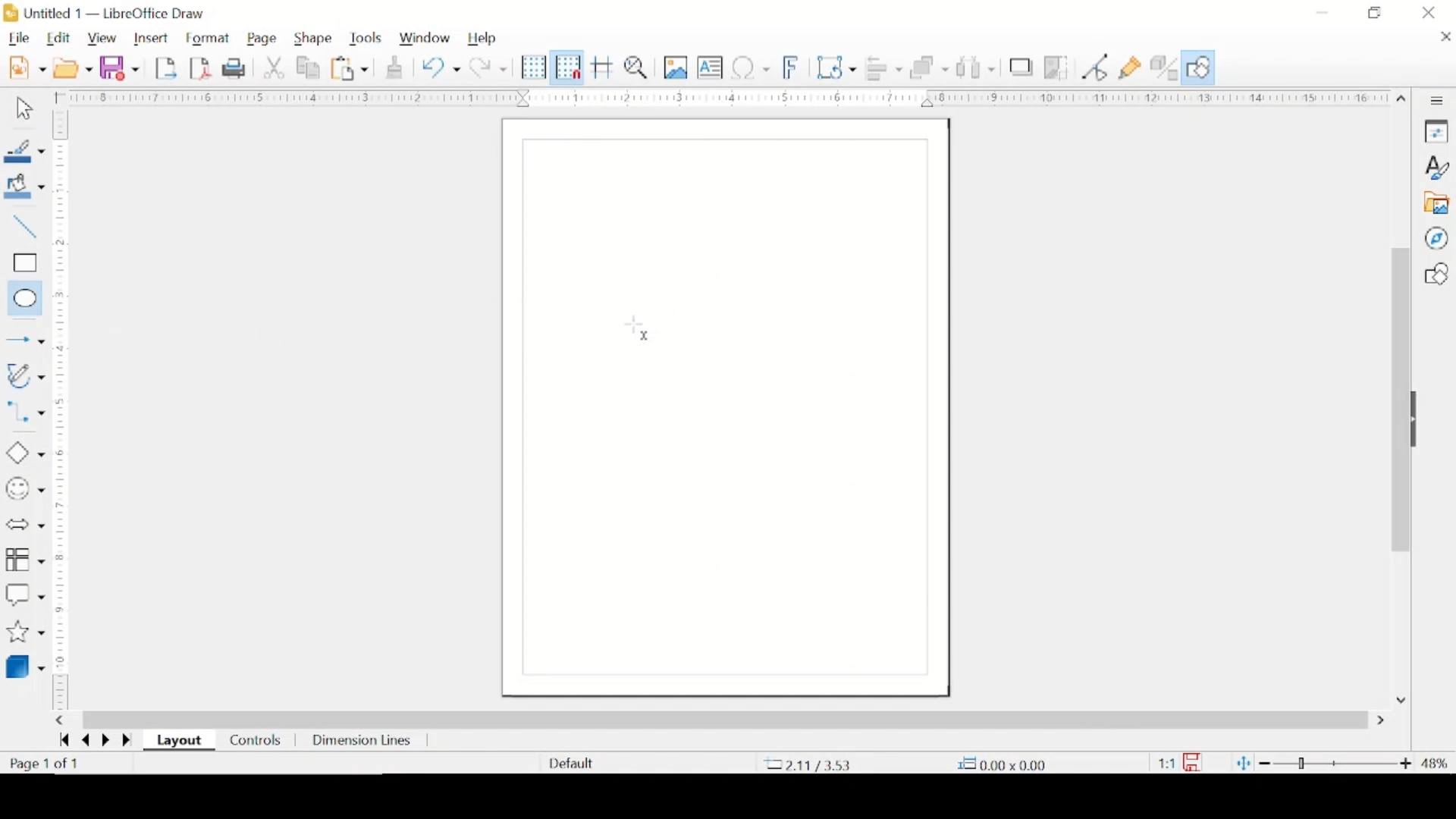 This screenshot has height=819, width=1456. Describe the element at coordinates (489, 67) in the screenshot. I see `redo` at that location.